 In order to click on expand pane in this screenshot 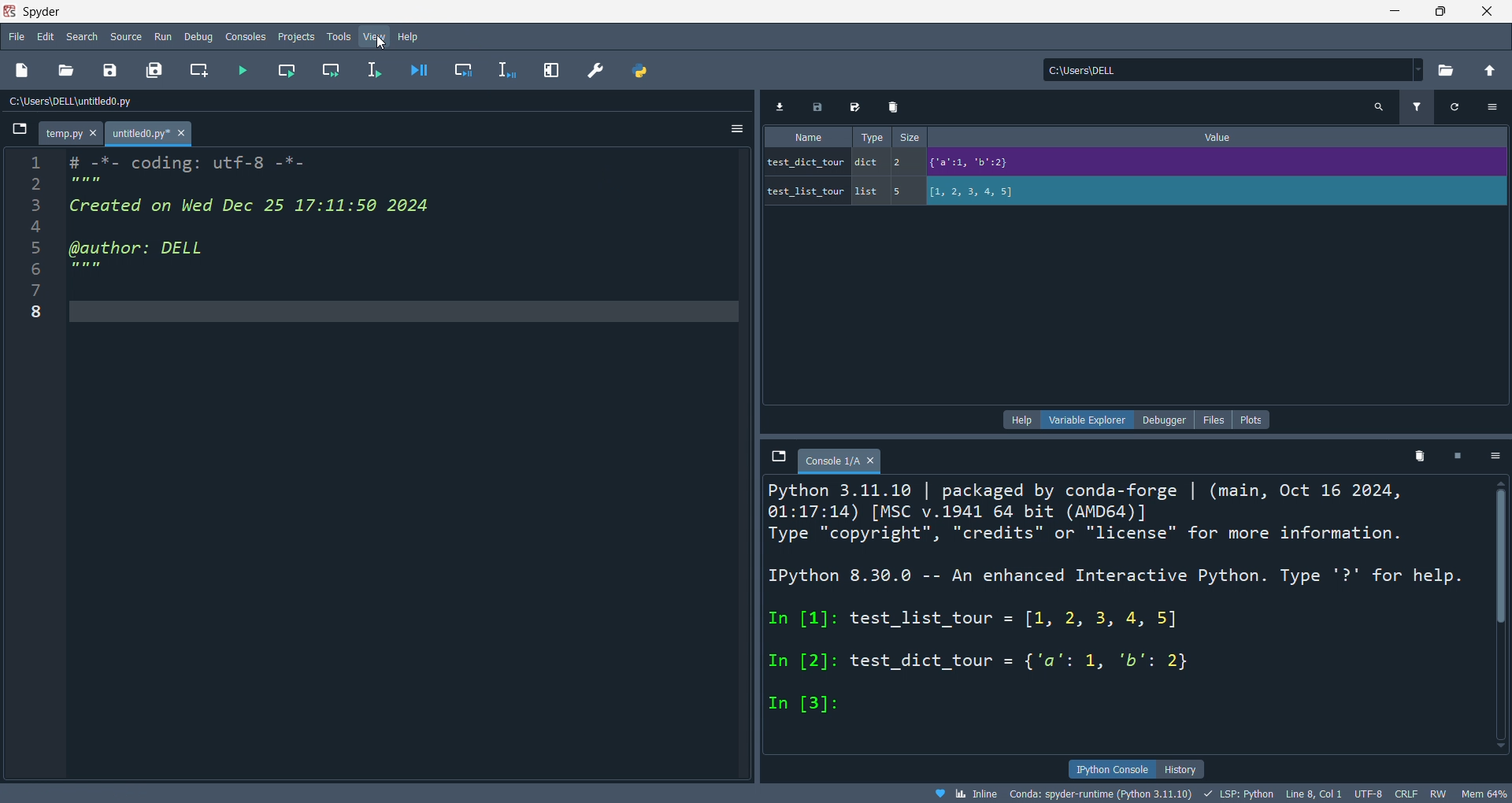, I will do `click(554, 68)`.